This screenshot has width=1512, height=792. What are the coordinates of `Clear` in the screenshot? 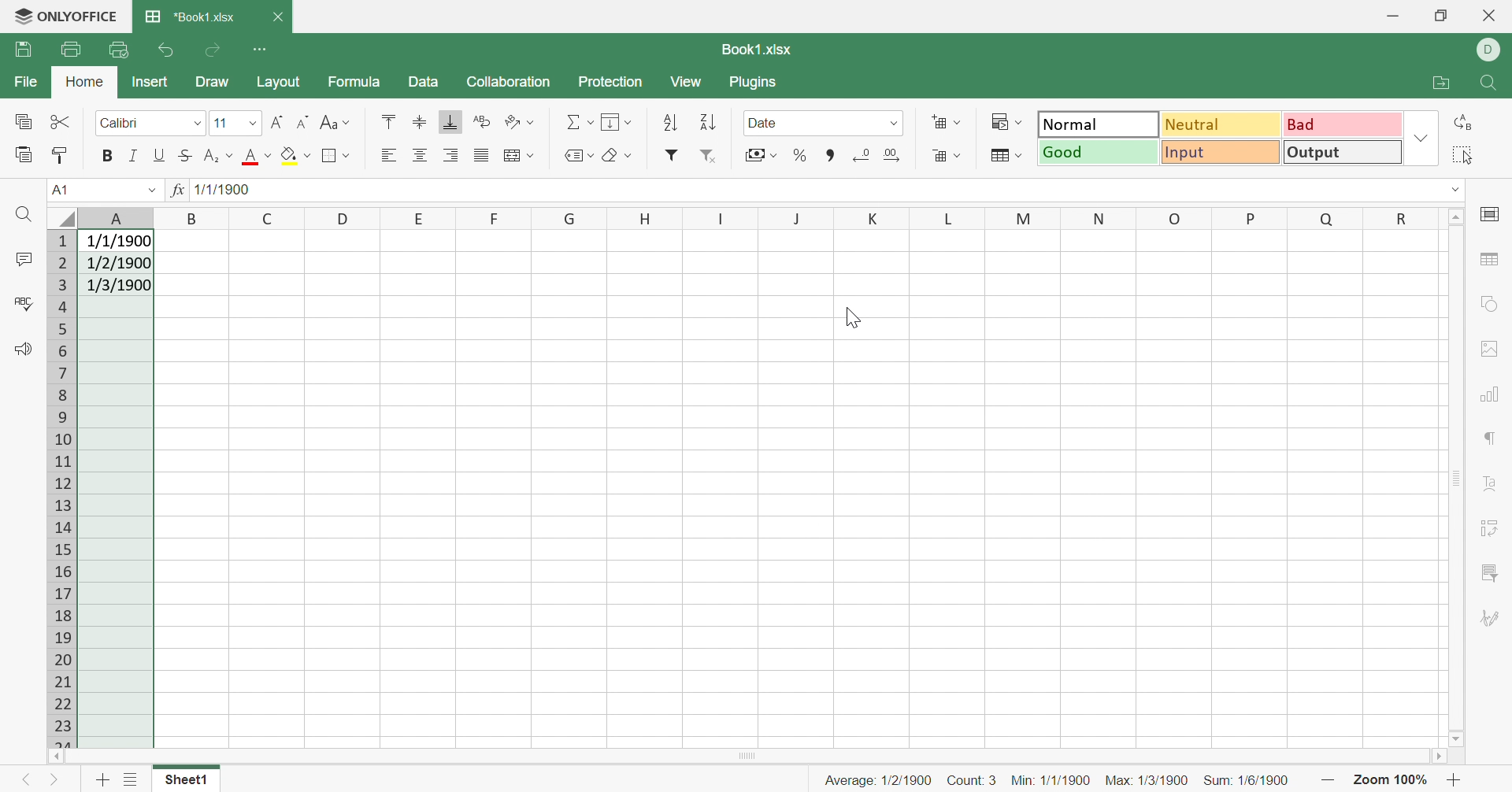 It's located at (615, 156).